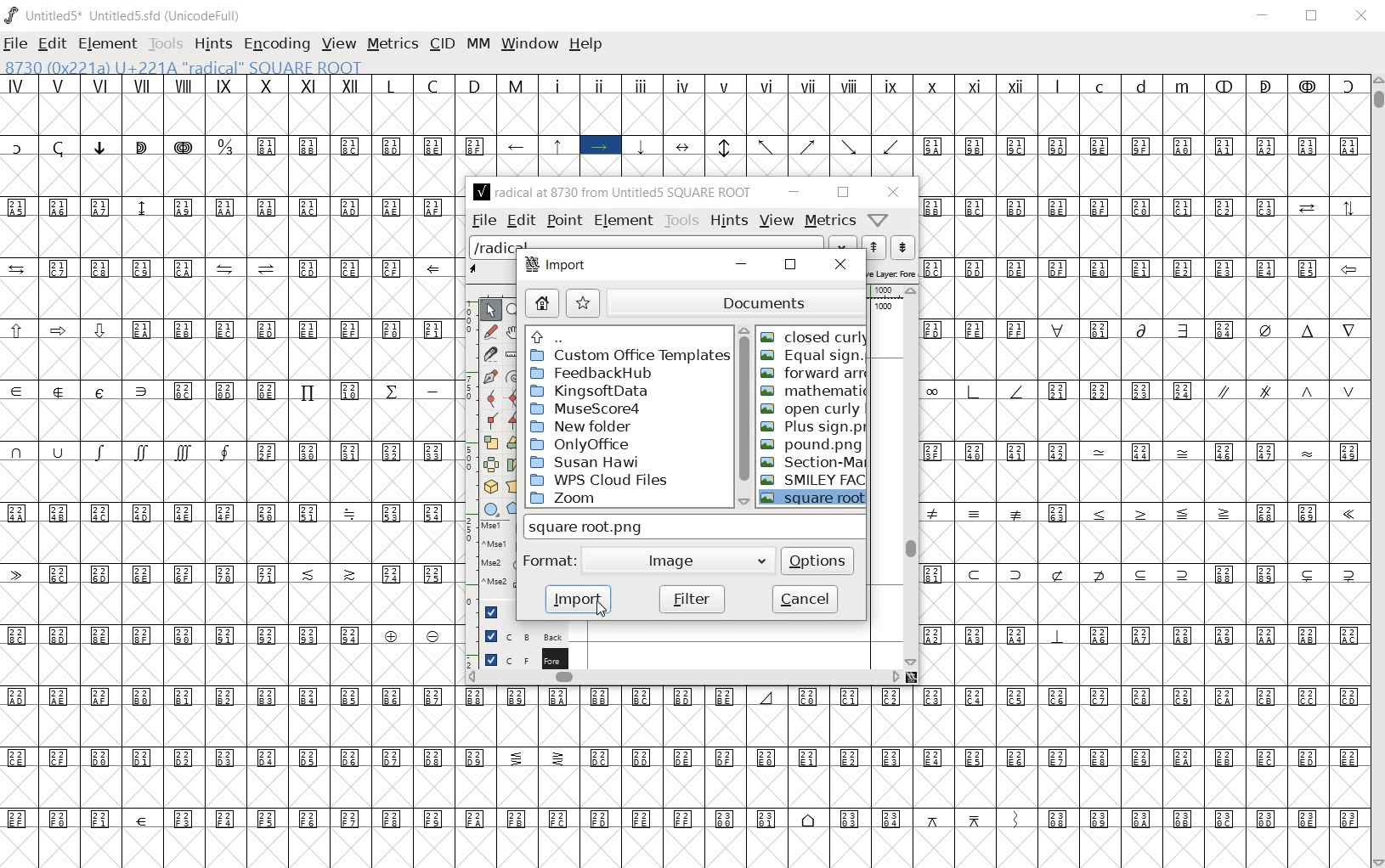 This screenshot has width=1385, height=868. Describe the element at coordinates (775, 220) in the screenshot. I see `view` at that location.